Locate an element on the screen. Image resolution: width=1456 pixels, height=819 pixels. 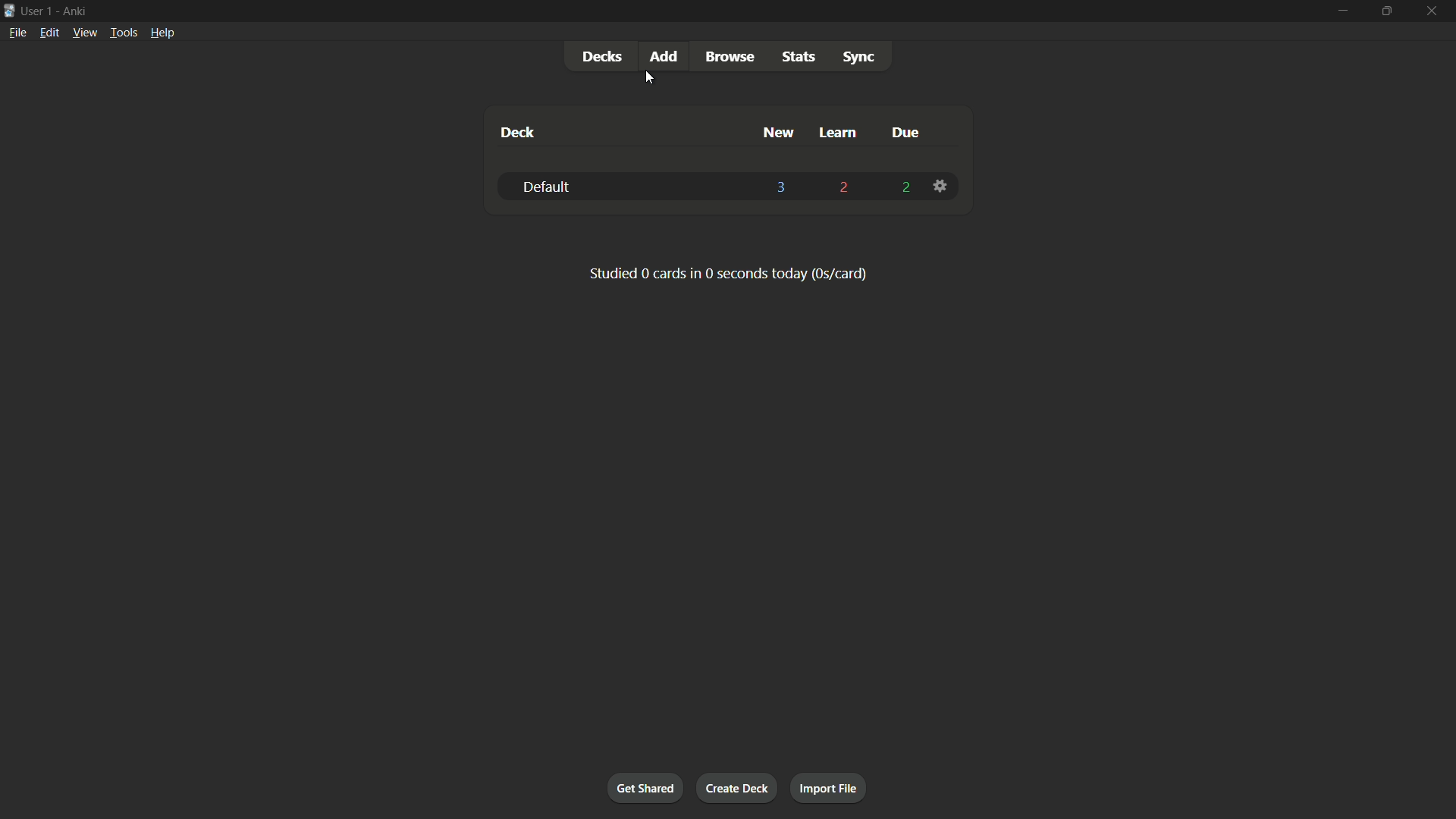
new is located at coordinates (780, 132).